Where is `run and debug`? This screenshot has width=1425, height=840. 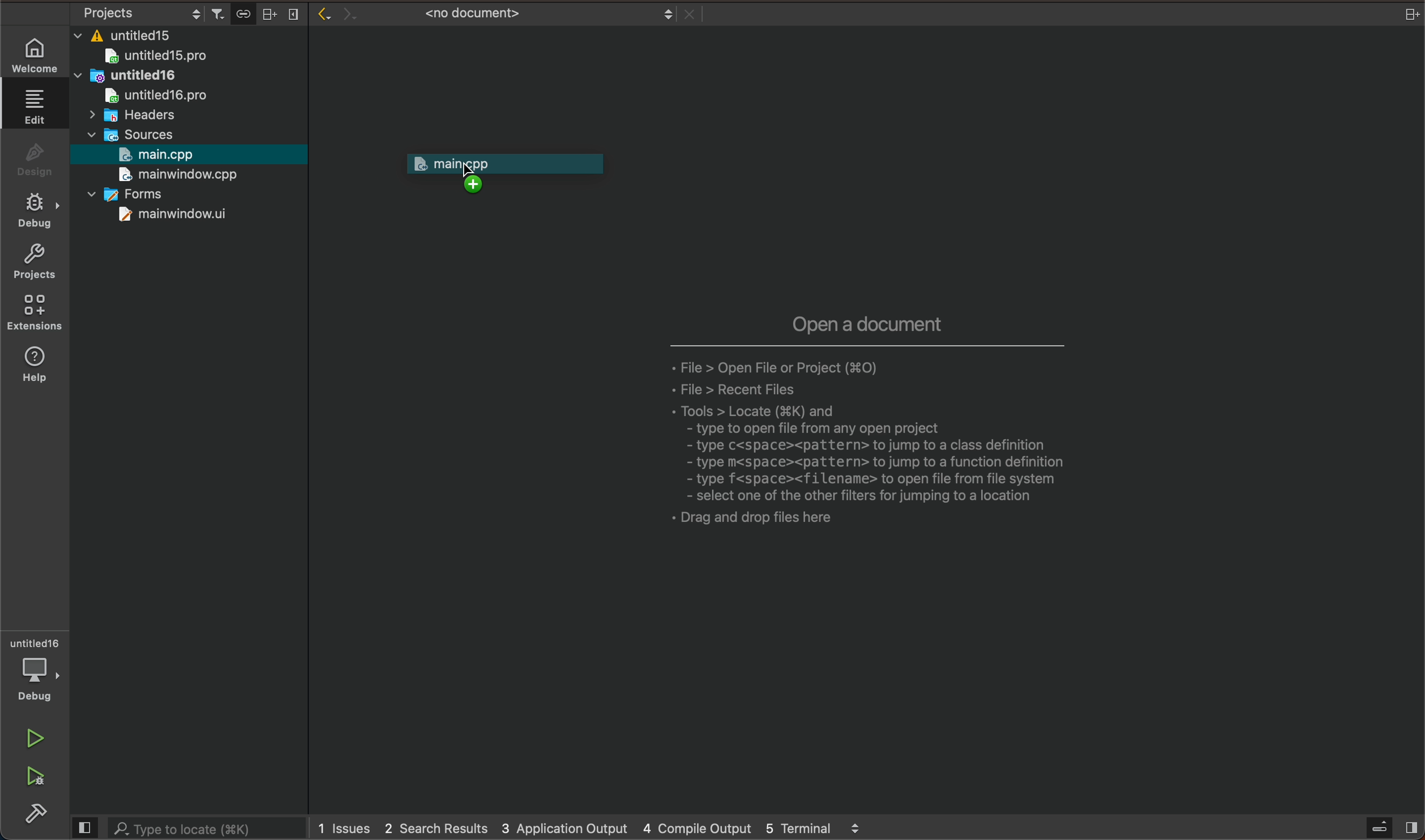 run and debug is located at coordinates (29, 775).